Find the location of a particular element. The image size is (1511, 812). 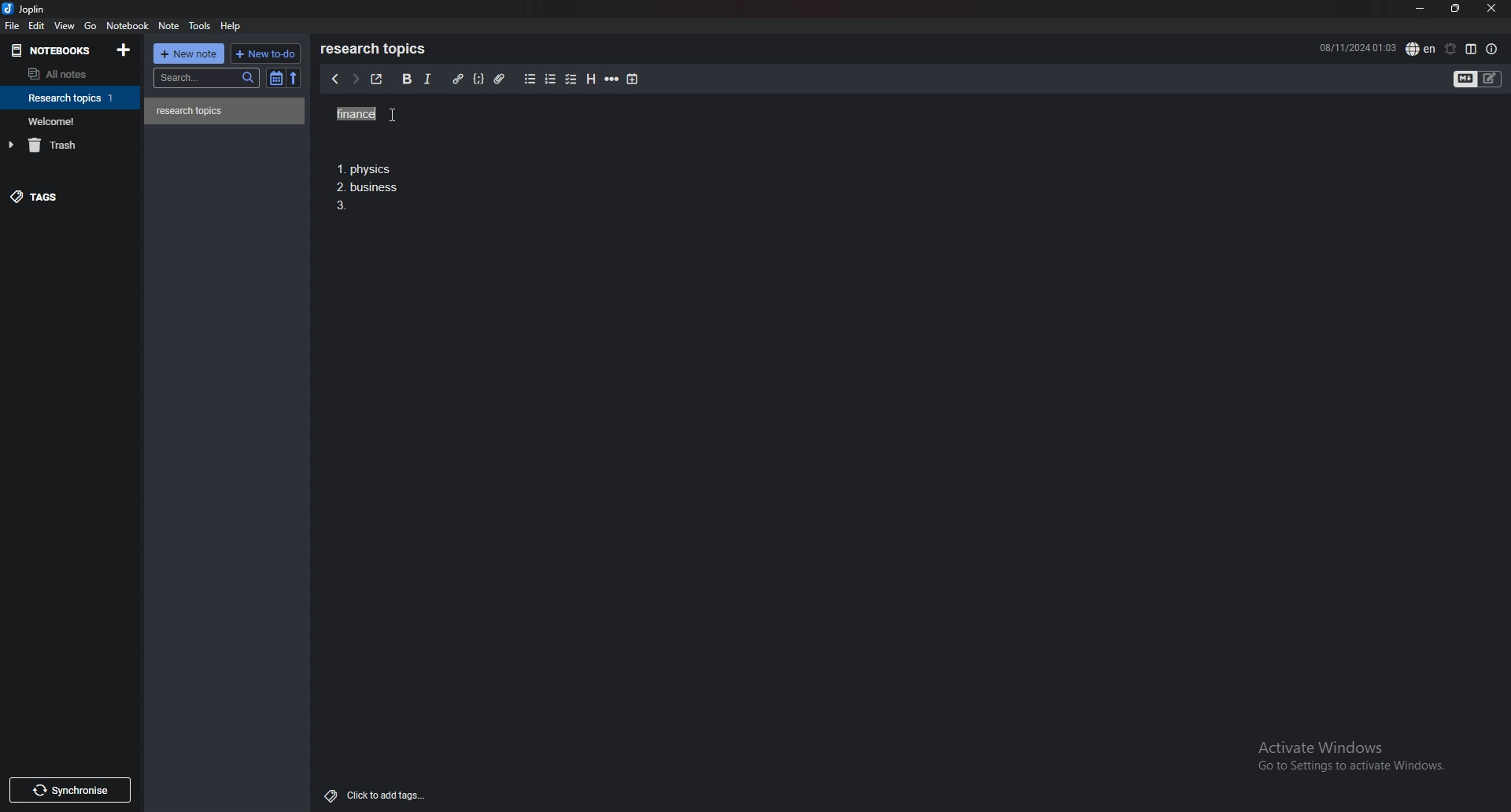

search bar is located at coordinates (208, 77).